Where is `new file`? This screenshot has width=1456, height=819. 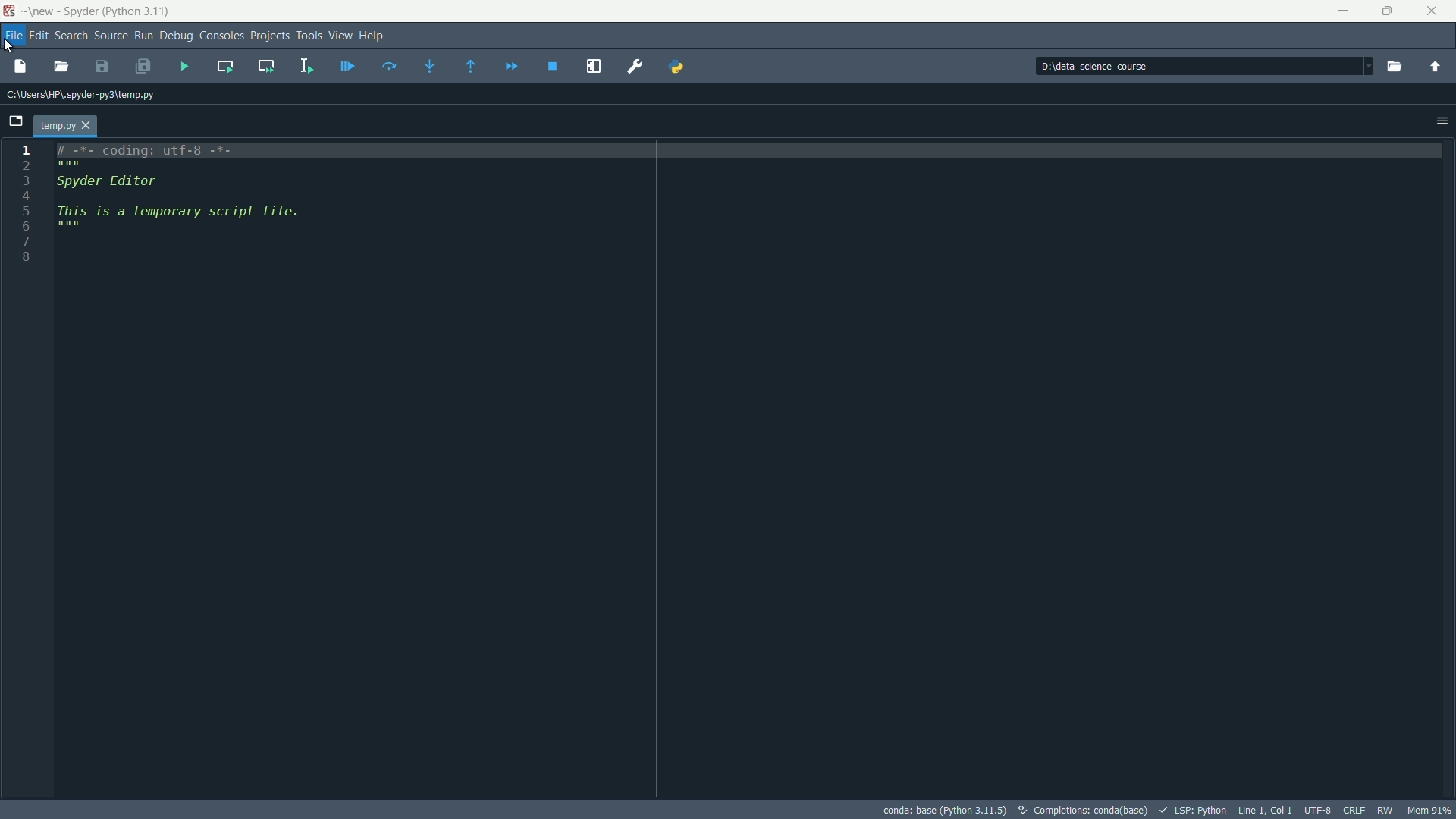
new file is located at coordinates (20, 67).